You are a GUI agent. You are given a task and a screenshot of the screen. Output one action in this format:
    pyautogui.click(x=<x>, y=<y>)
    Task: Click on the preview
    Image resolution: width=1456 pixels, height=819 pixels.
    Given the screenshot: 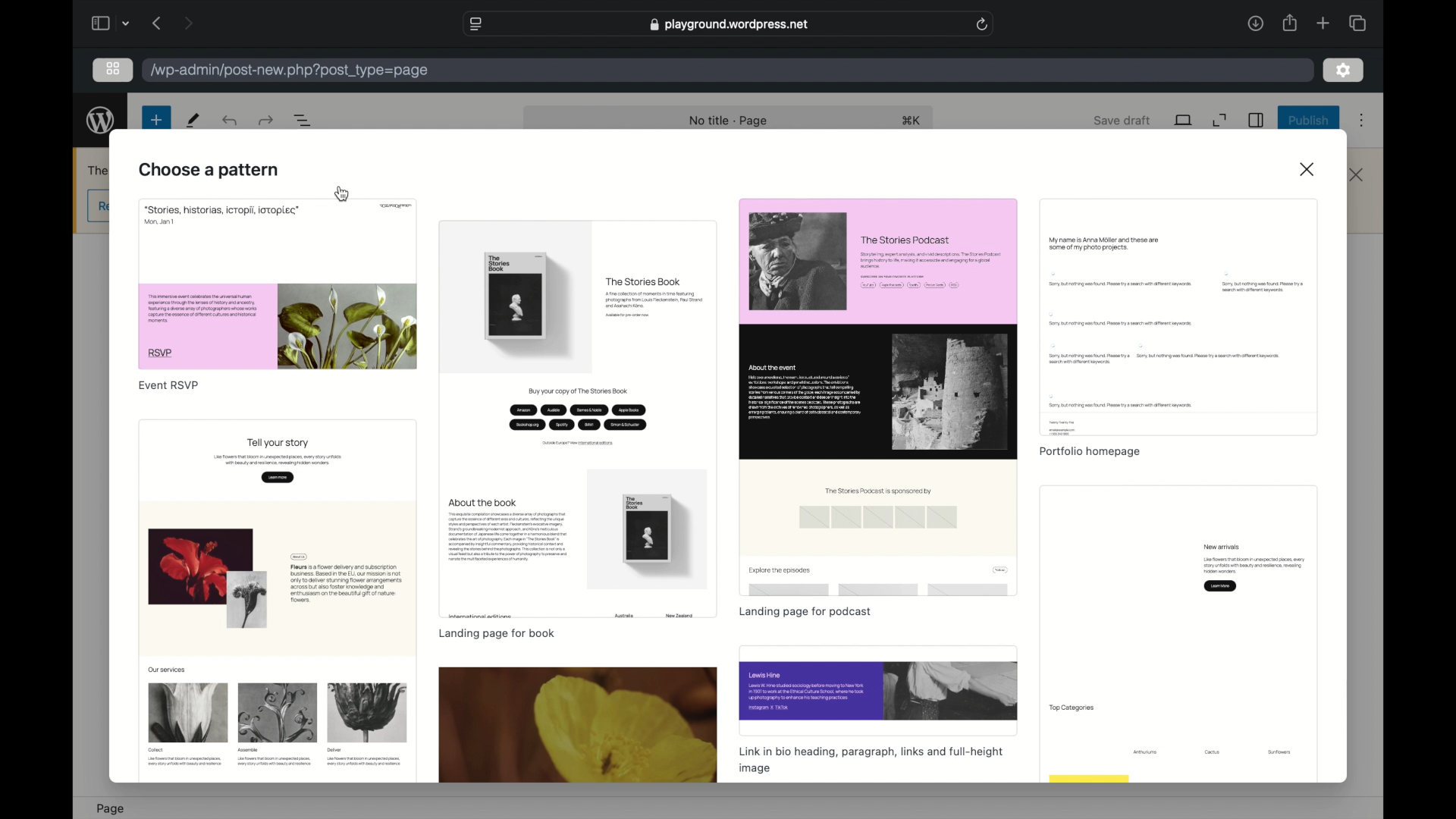 What is the action you would take?
    pyautogui.click(x=277, y=601)
    